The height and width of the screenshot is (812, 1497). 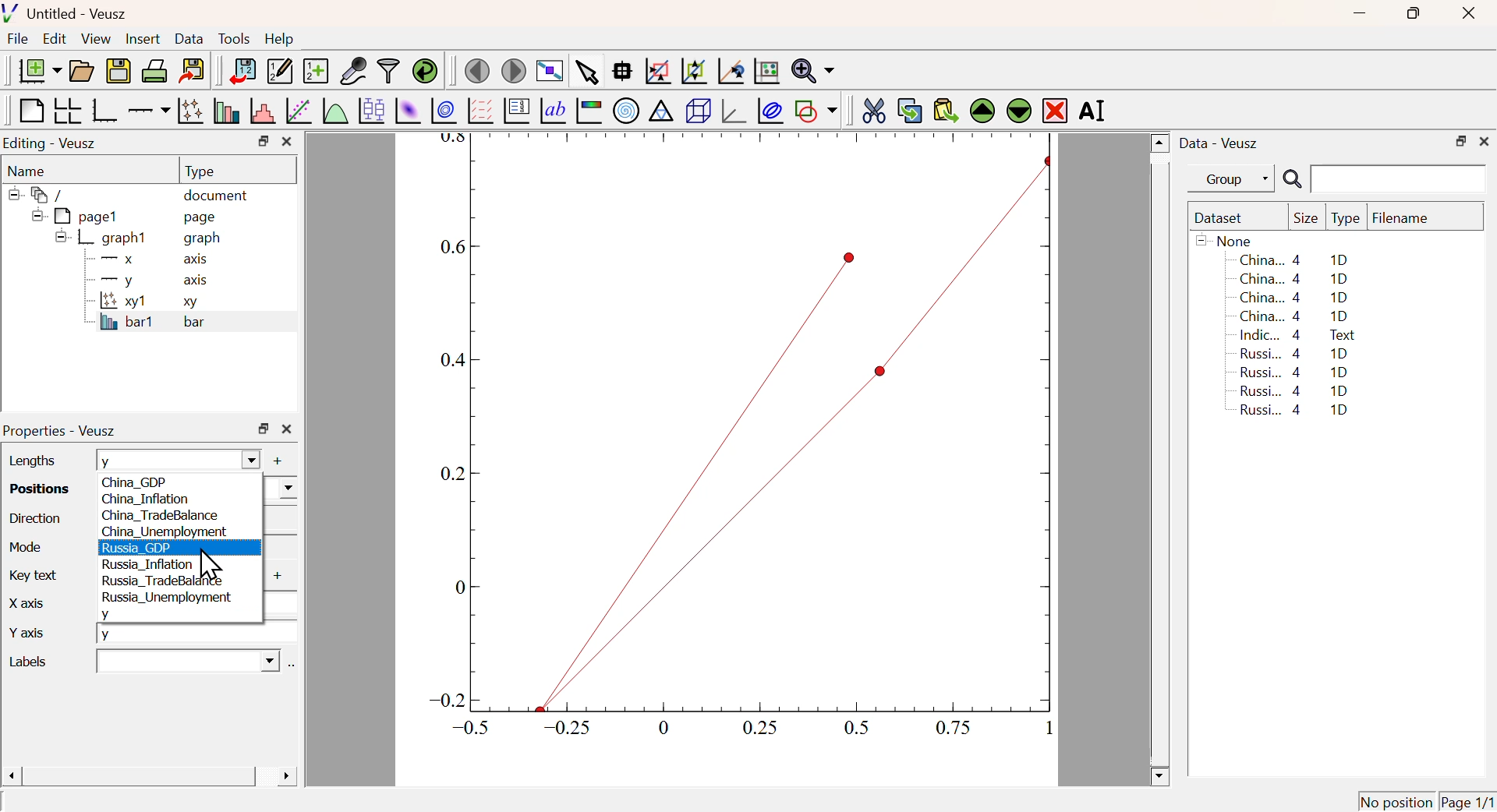 What do you see at coordinates (478, 72) in the screenshot?
I see `Previous Page` at bounding box center [478, 72].